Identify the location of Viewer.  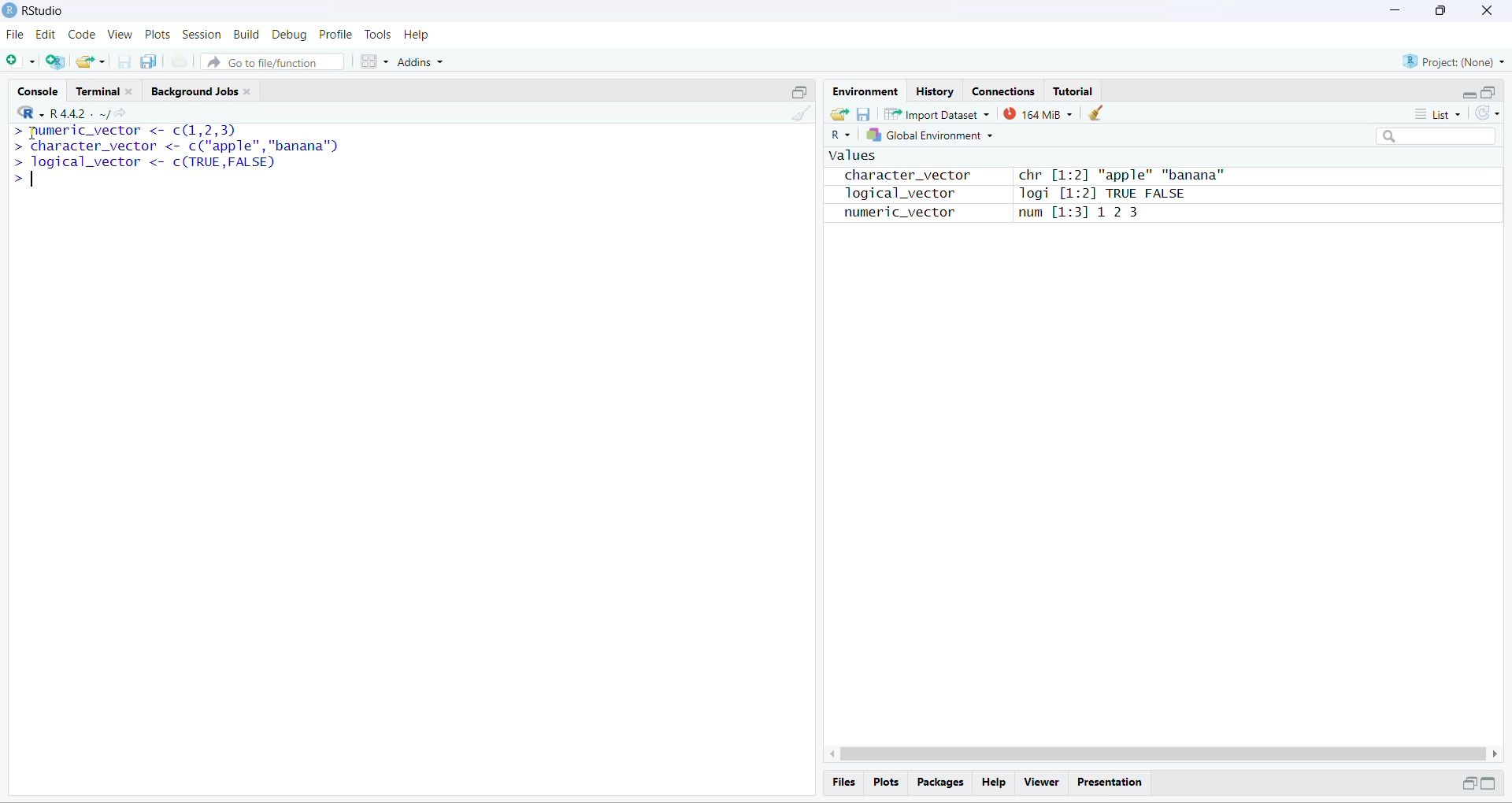
(1042, 783).